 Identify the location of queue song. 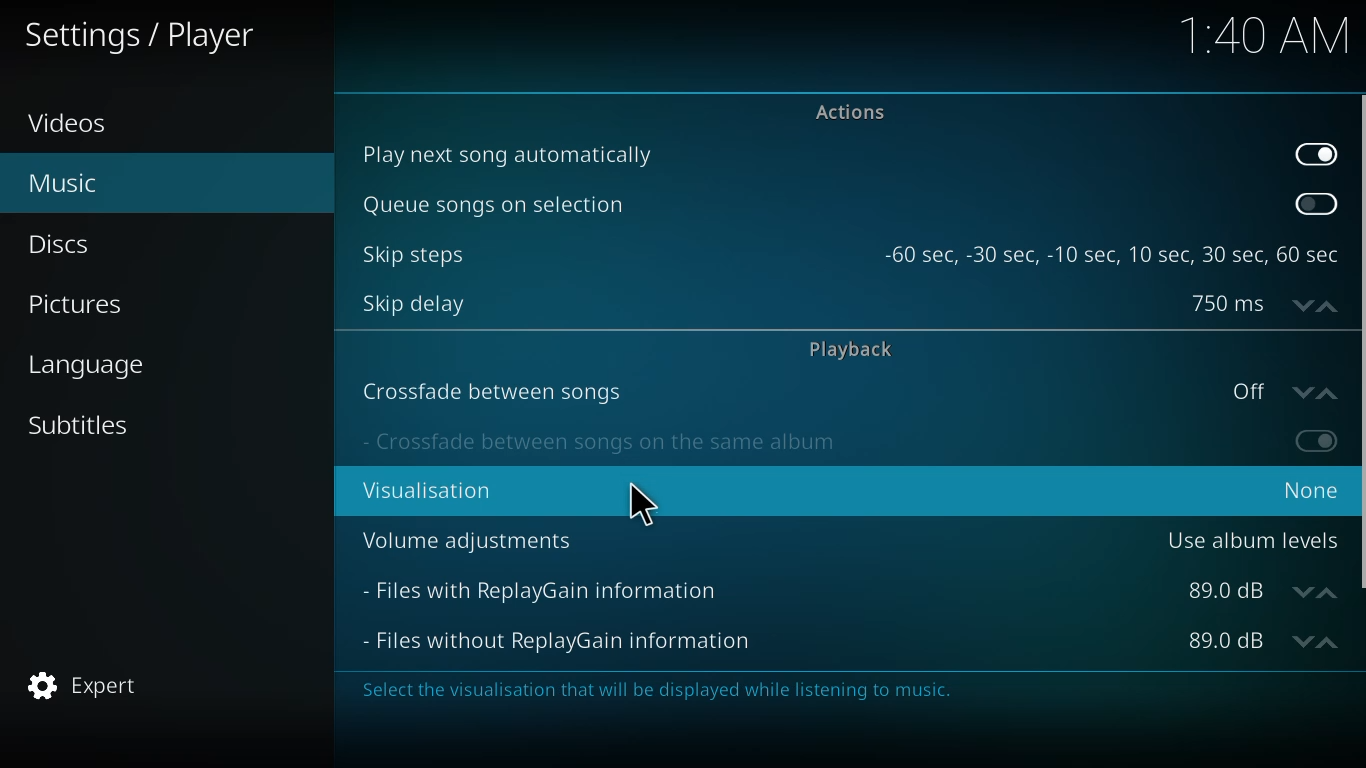
(491, 205).